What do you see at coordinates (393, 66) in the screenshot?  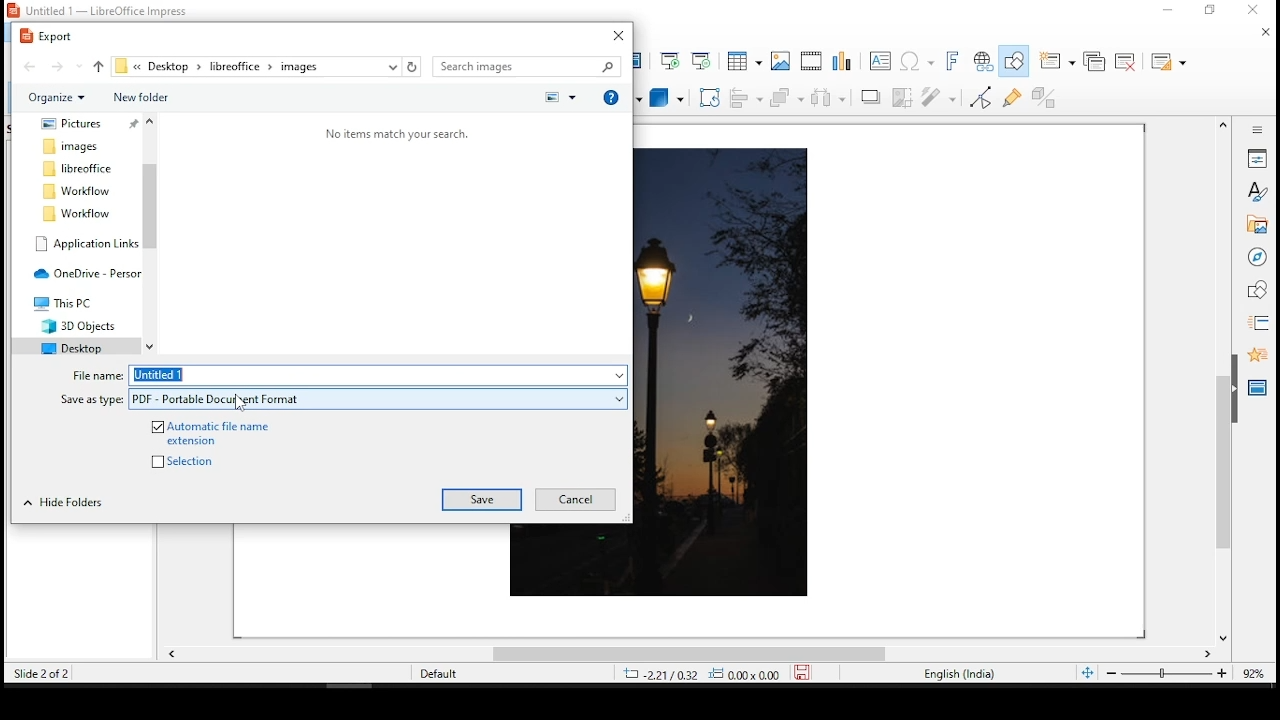 I see `recent locations` at bounding box center [393, 66].